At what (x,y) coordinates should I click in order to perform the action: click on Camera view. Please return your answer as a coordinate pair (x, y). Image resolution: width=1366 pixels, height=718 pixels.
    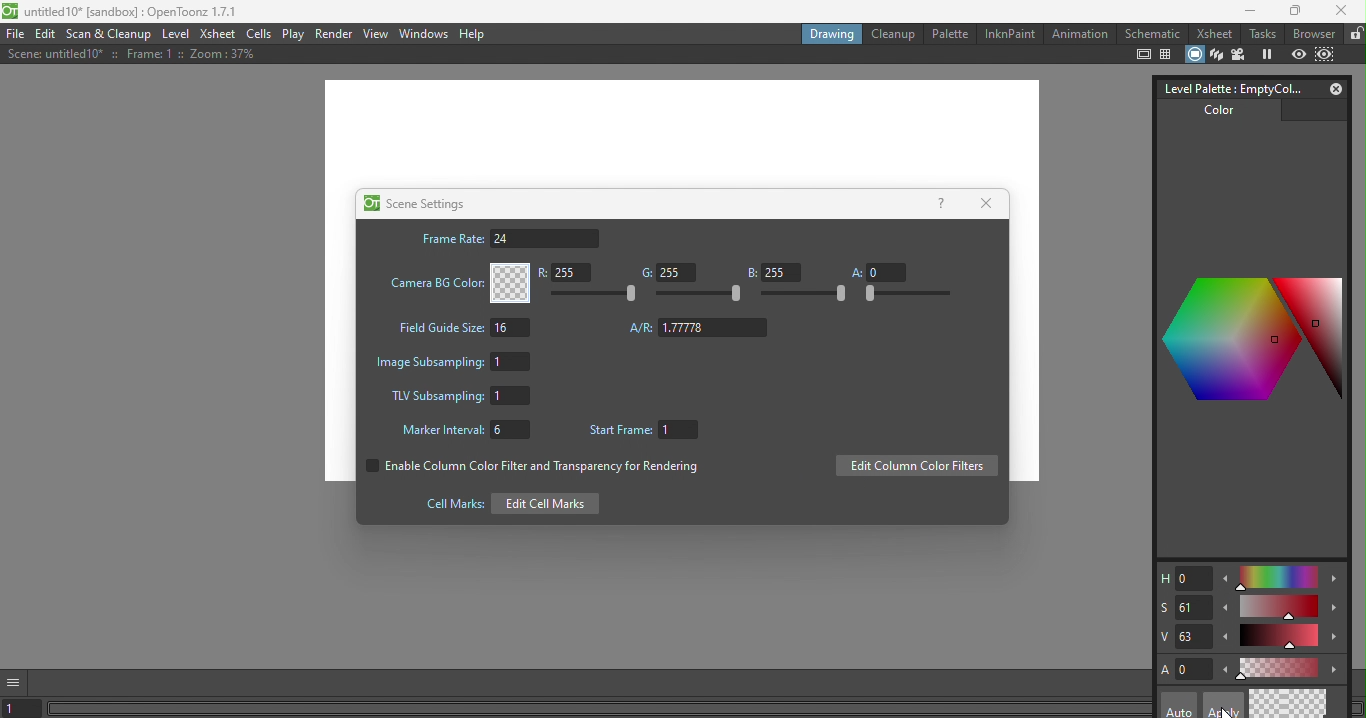
    Looking at the image, I should click on (1241, 54).